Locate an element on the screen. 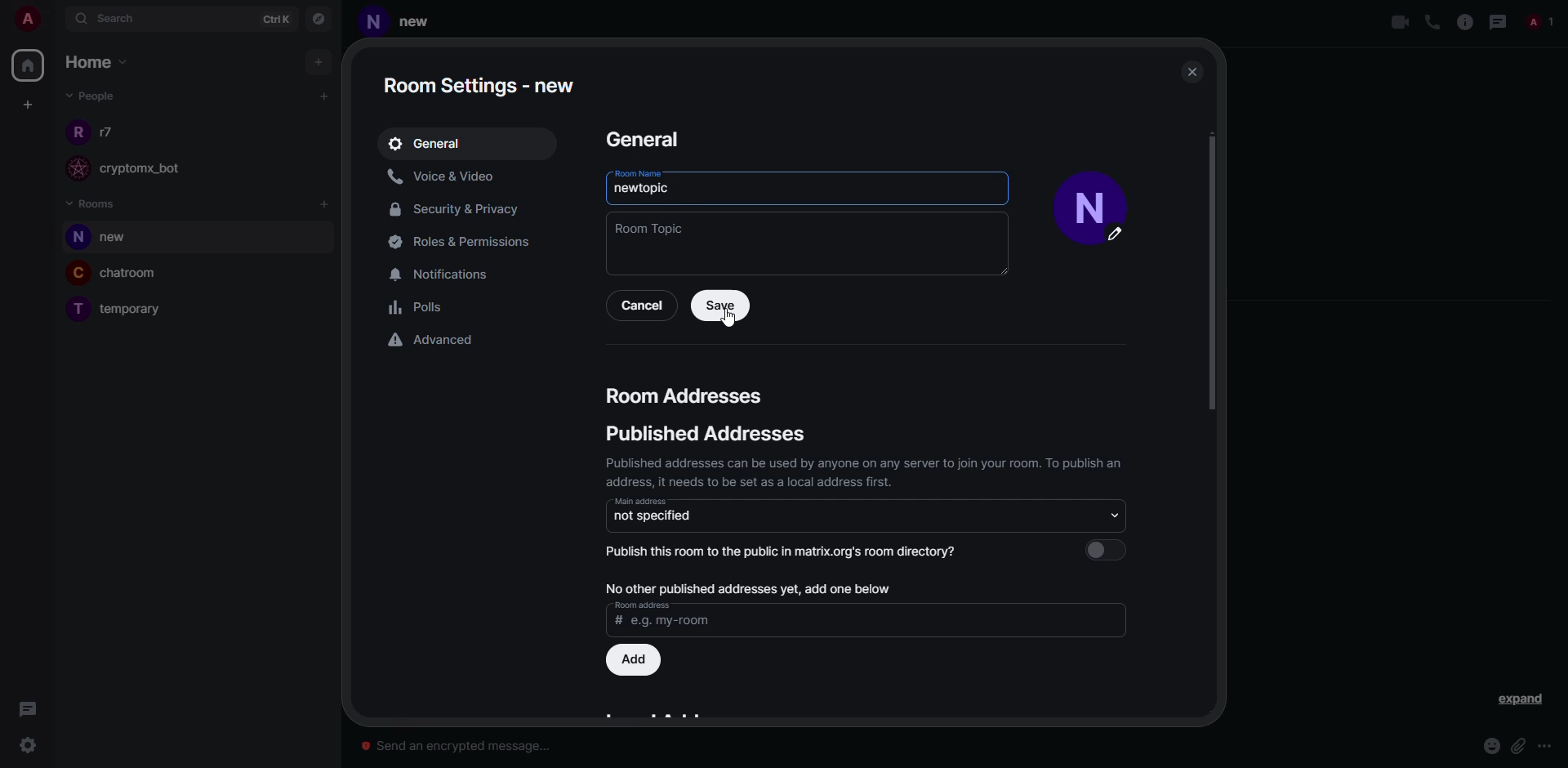 This screenshot has height=768, width=1568. polls is located at coordinates (420, 310).